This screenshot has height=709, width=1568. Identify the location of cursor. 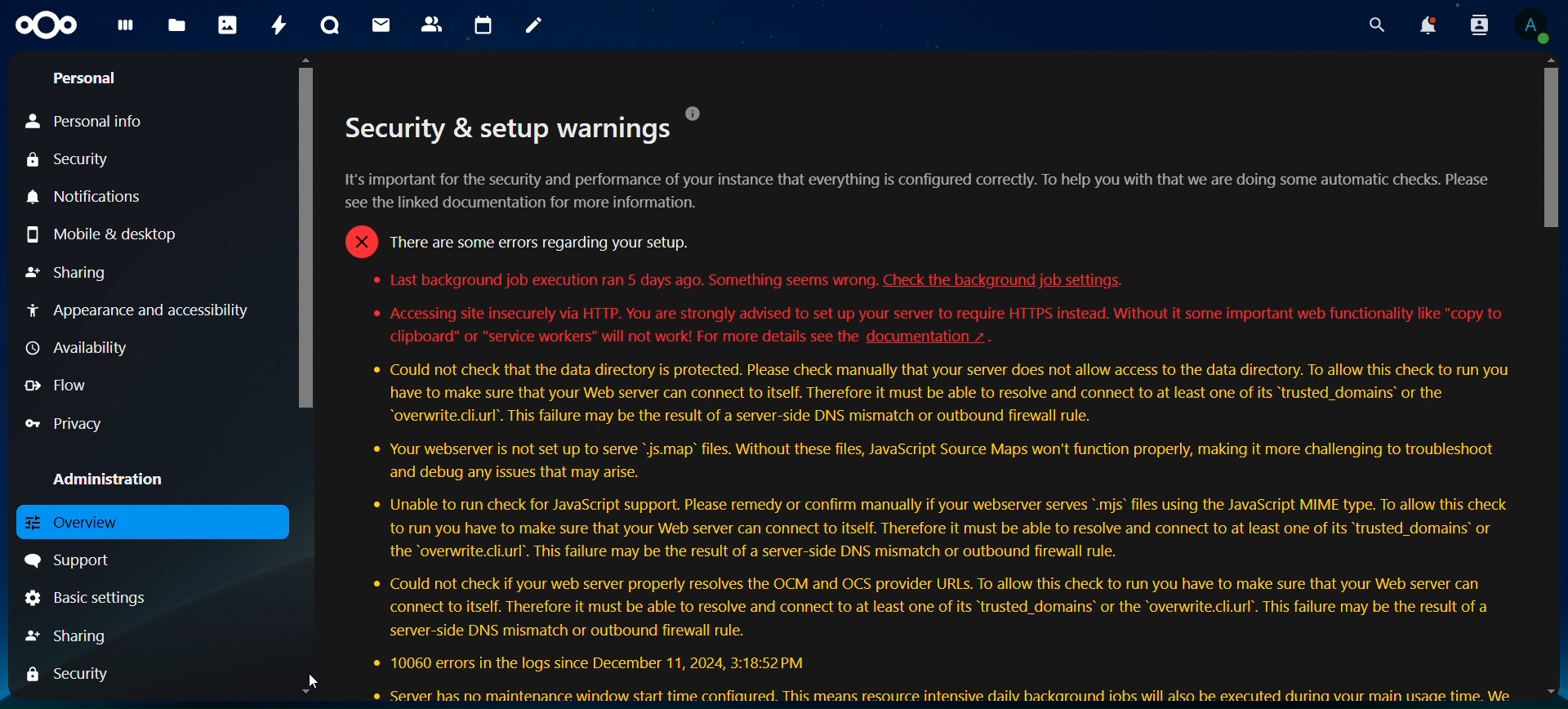
(312, 678).